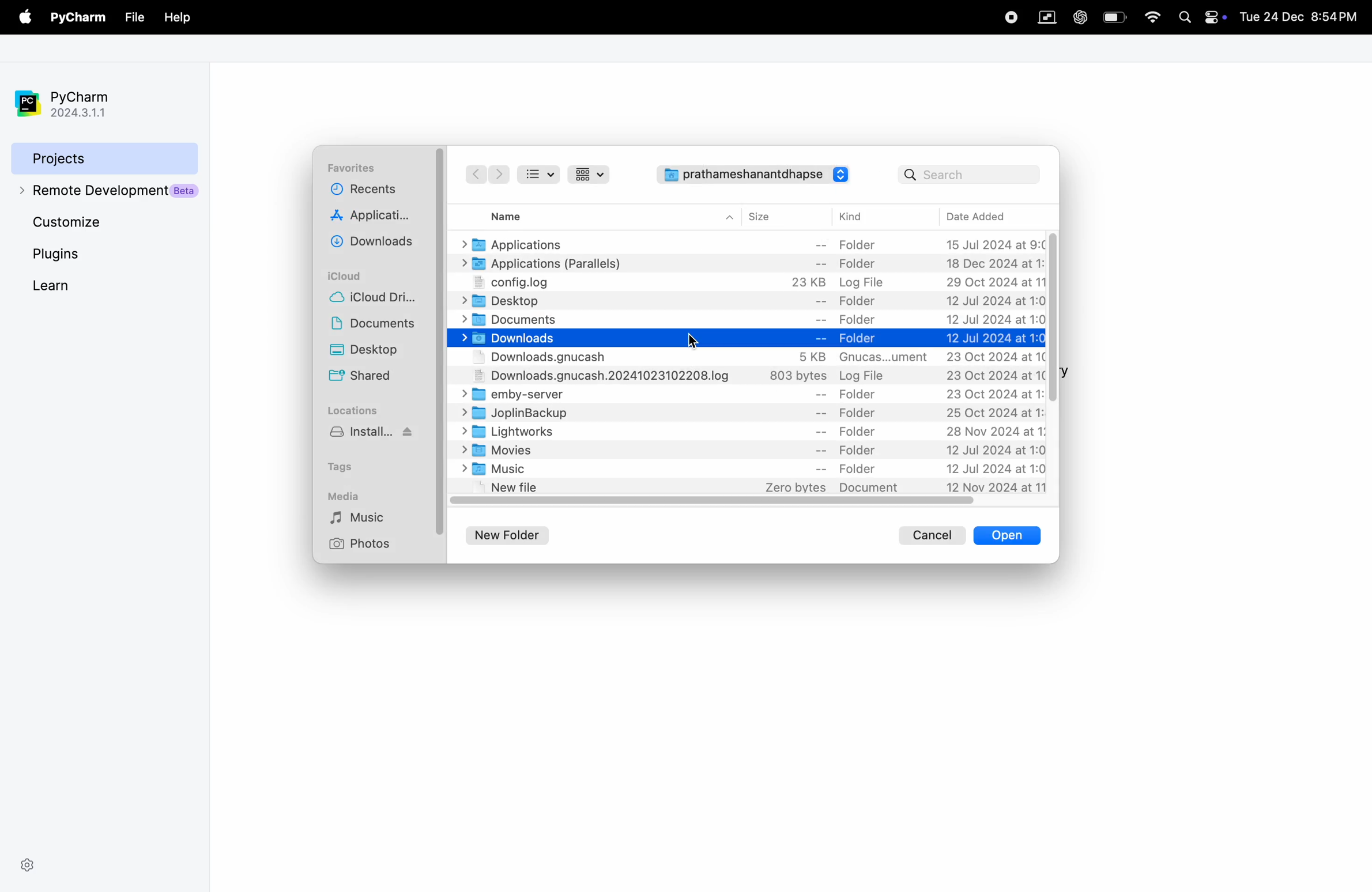  I want to click on remote development, so click(105, 190).